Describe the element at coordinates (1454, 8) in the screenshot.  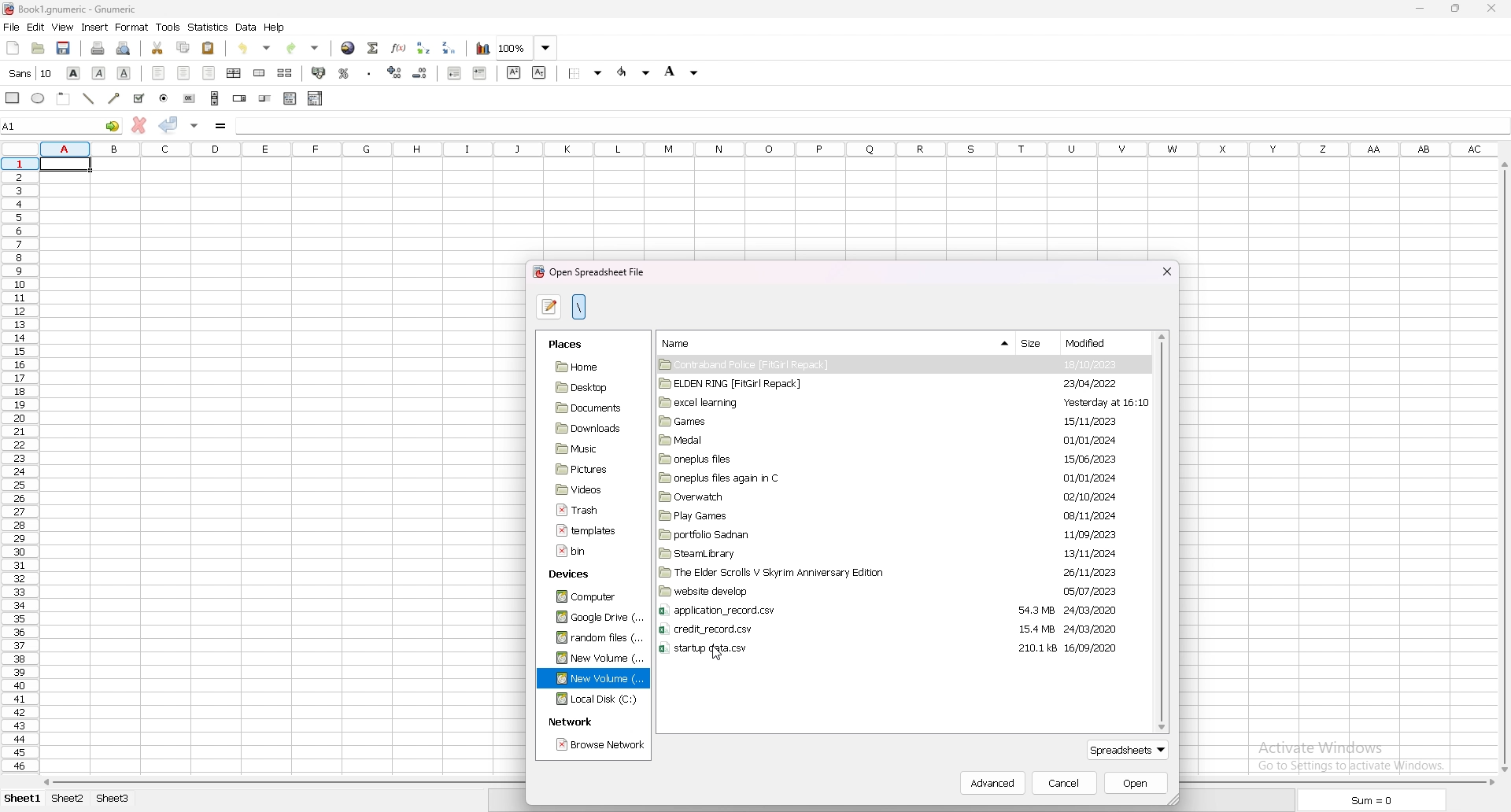
I see `resize` at that location.